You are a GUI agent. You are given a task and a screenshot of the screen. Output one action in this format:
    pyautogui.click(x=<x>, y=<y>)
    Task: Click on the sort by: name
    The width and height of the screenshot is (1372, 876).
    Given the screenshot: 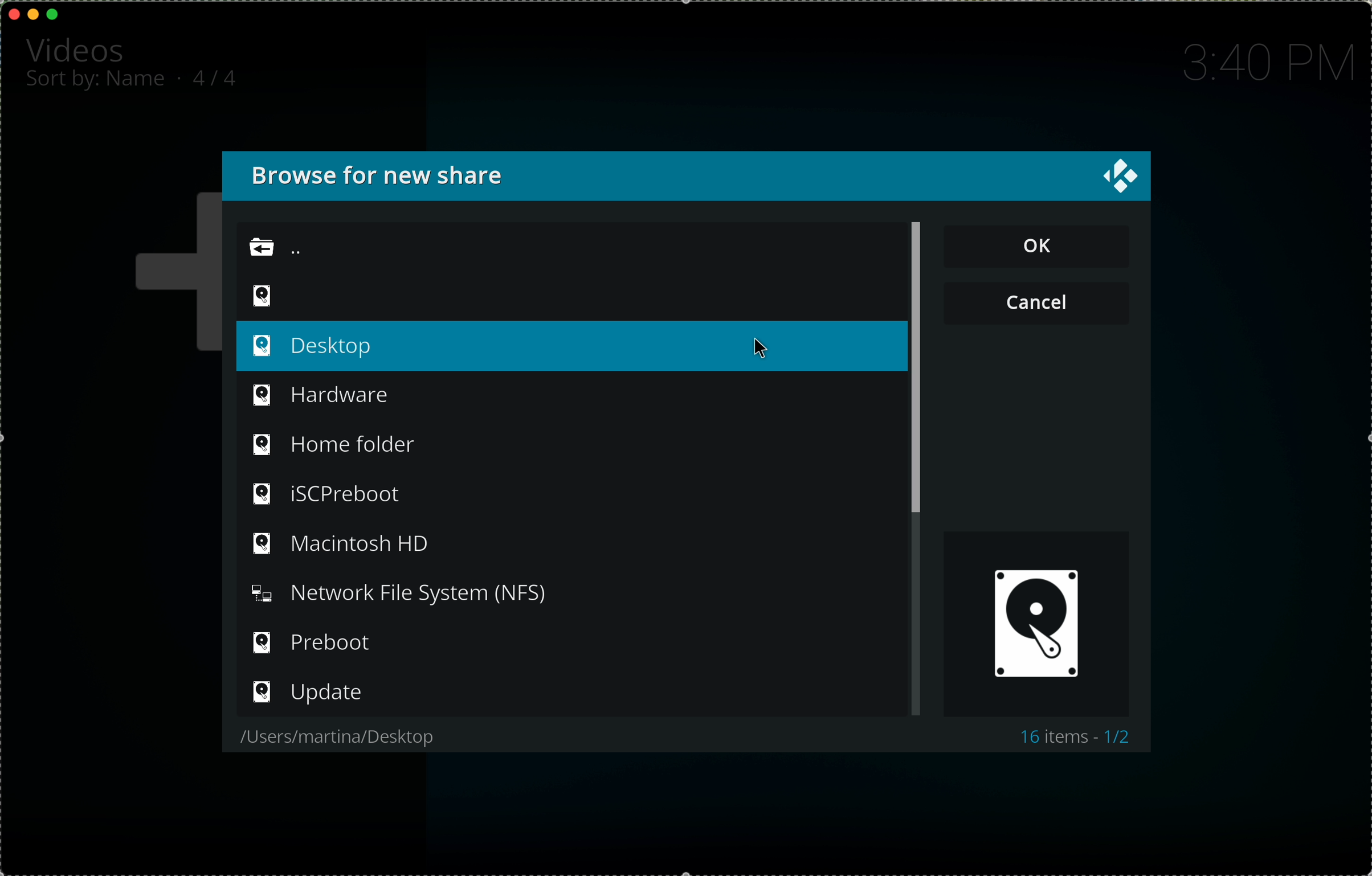 What is the action you would take?
    pyautogui.click(x=97, y=83)
    